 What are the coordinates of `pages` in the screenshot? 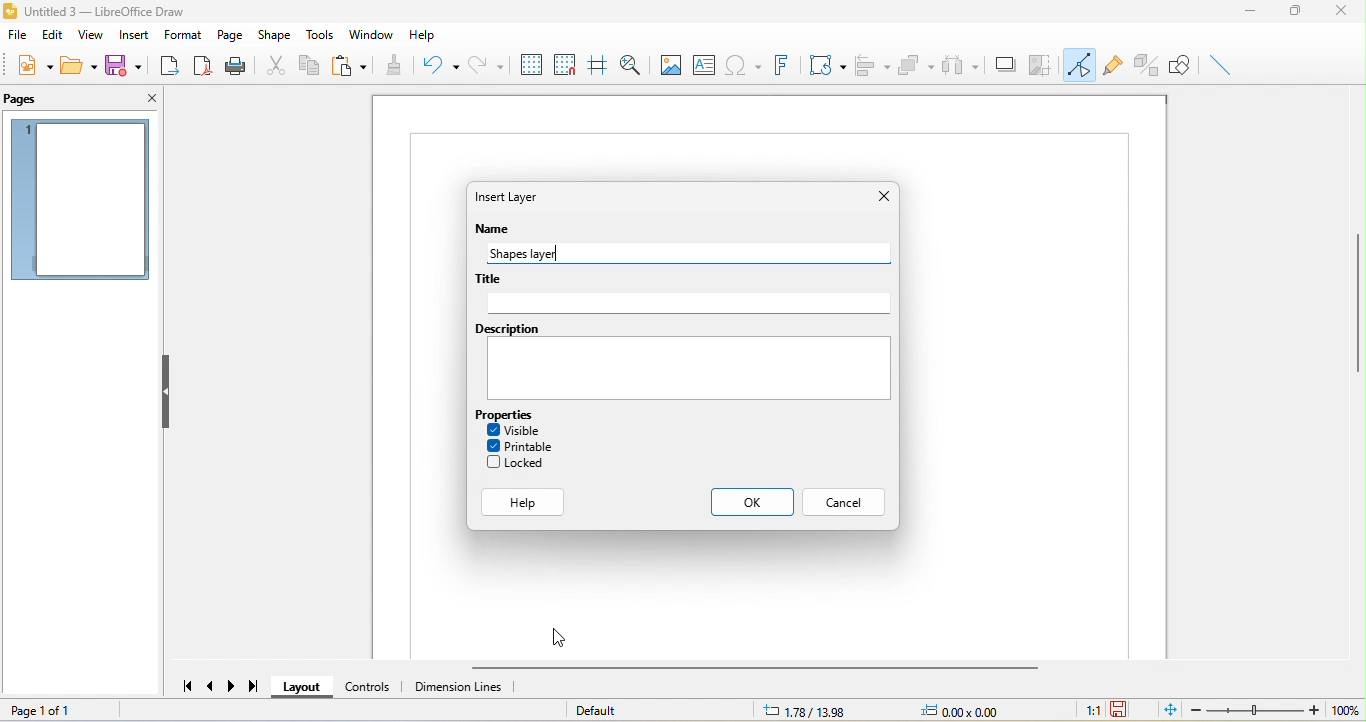 It's located at (33, 101).